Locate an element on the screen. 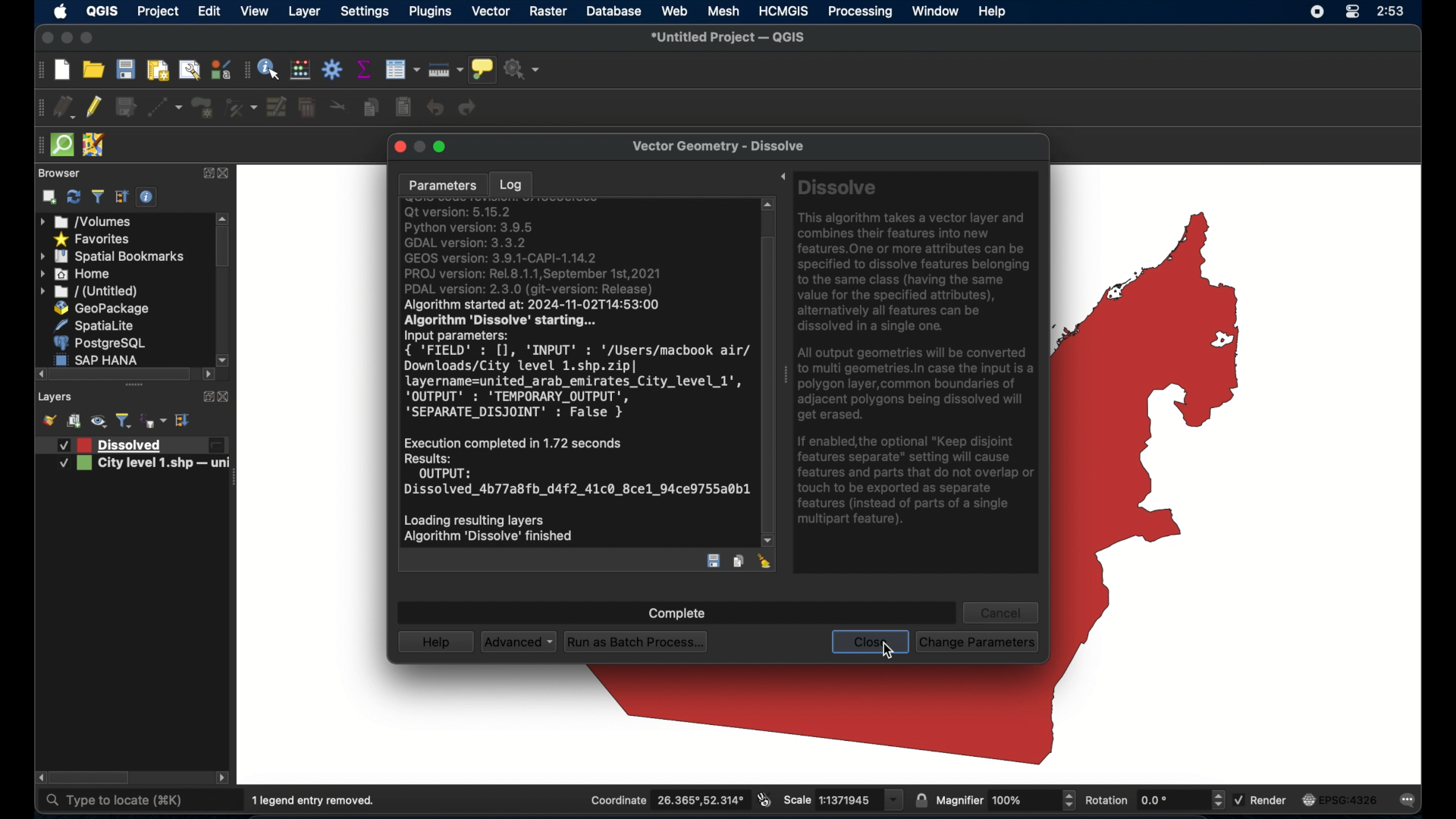 This screenshot has width=1456, height=819. digitize with segment is located at coordinates (165, 108).